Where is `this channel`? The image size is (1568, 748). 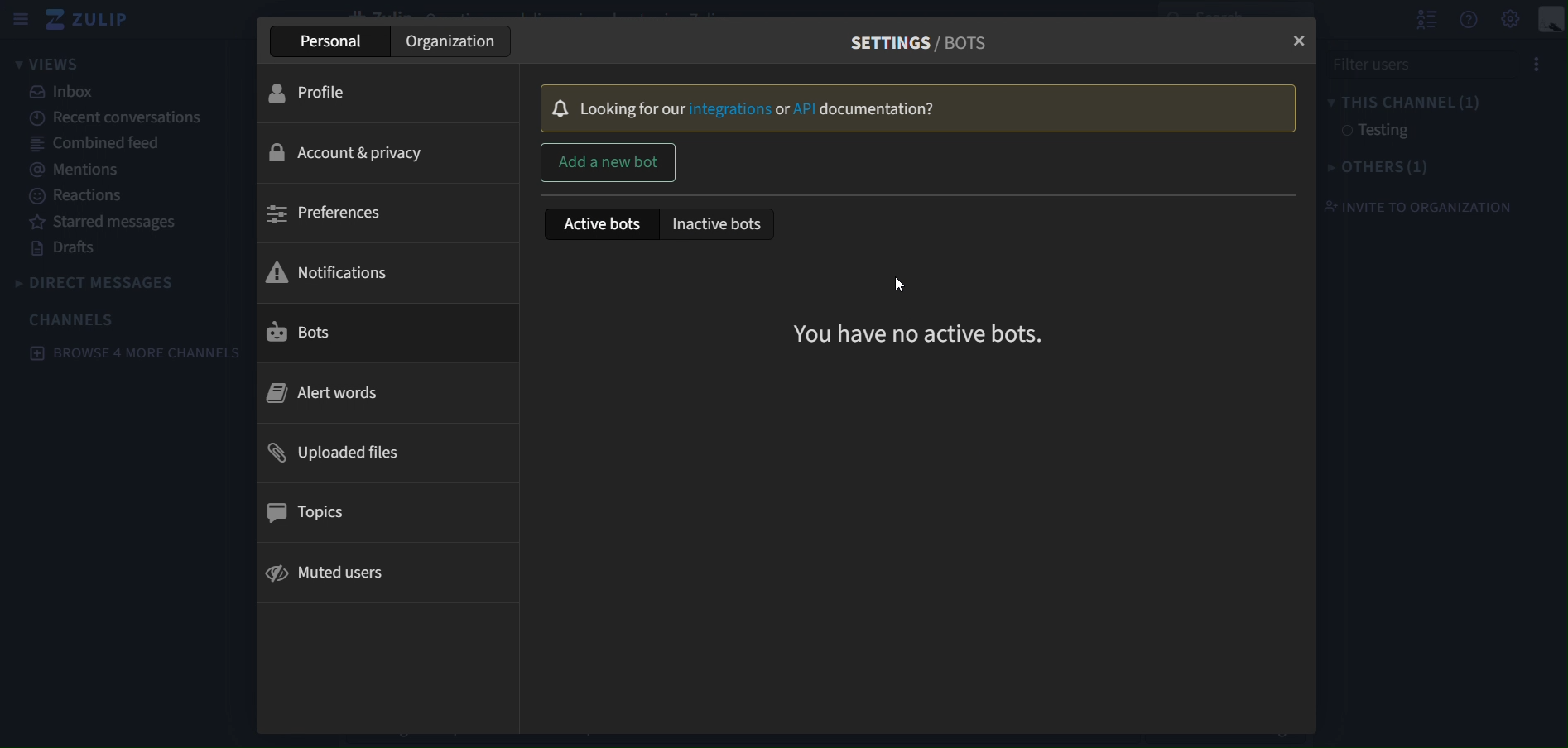
this channel is located at coordinates (1412, 102).